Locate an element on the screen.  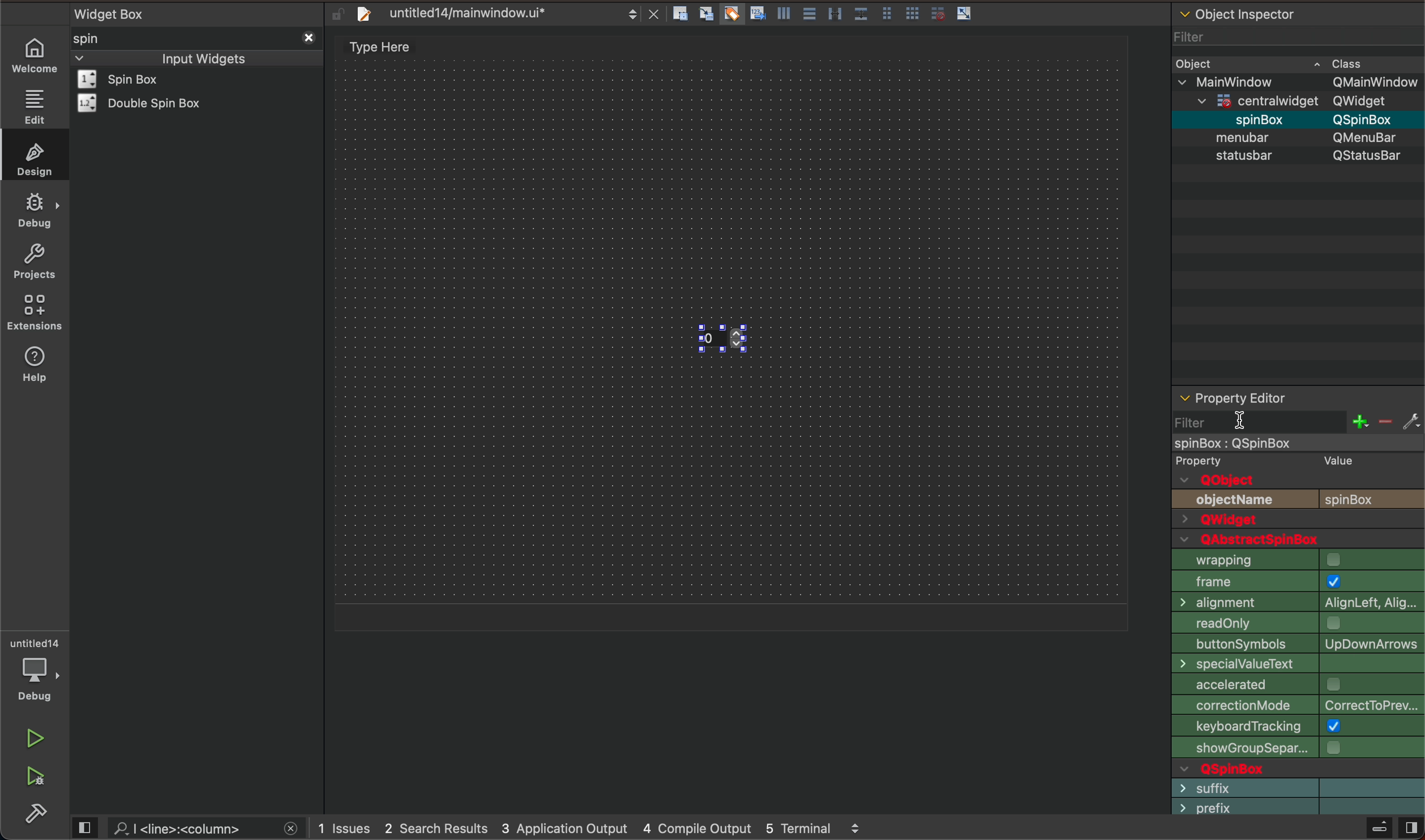
extension is located at coordinates (35, 313).